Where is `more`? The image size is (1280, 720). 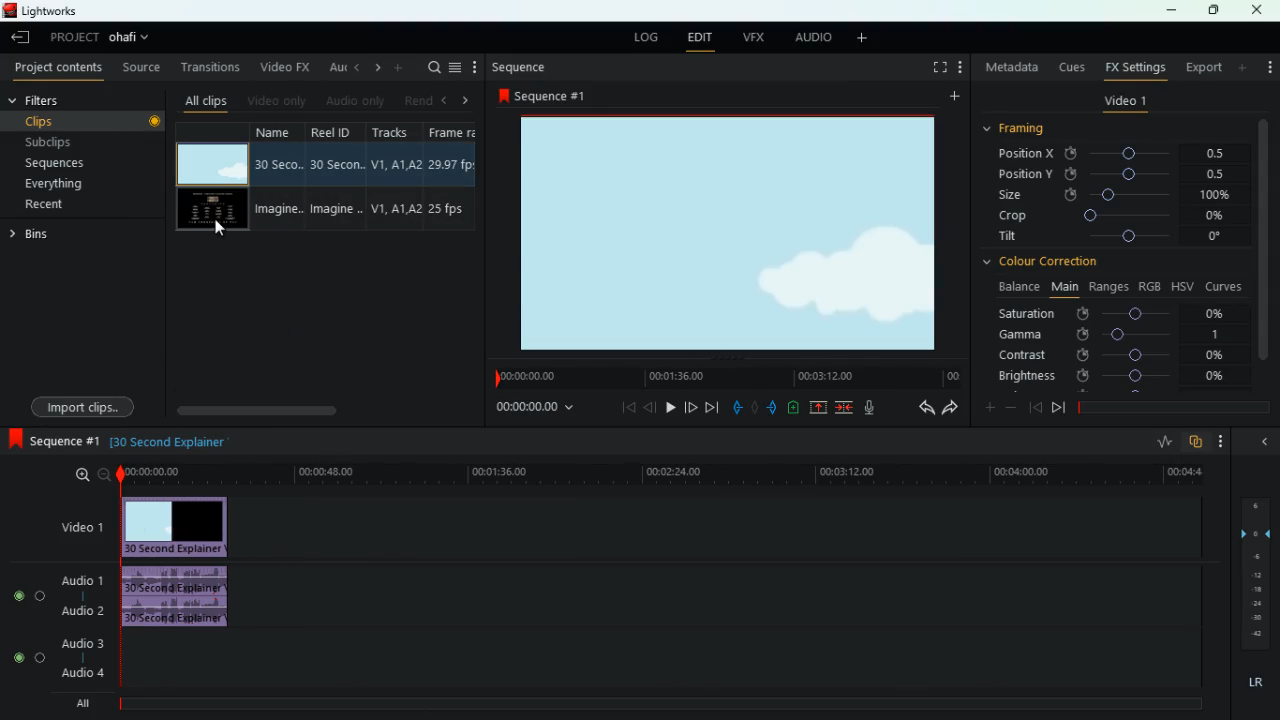
more is located at coordinates (952, 99).